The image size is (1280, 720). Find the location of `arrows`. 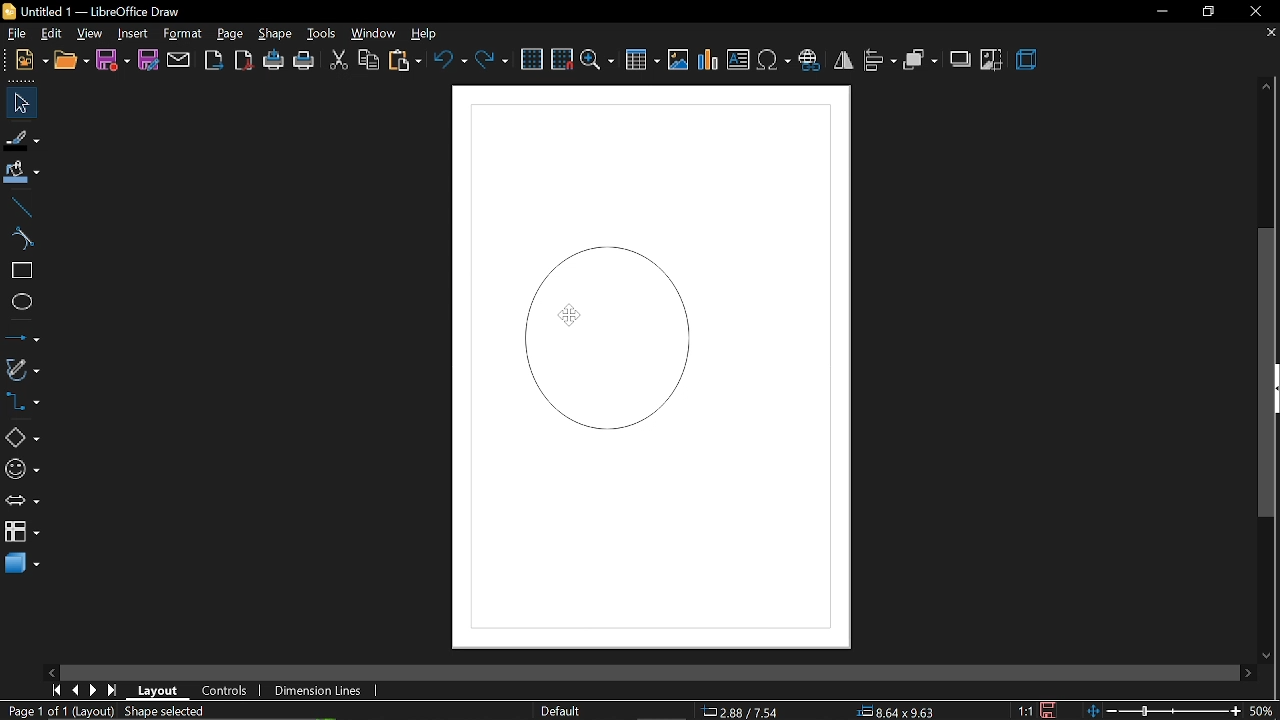

arrows is located at coordinates (22, 501).